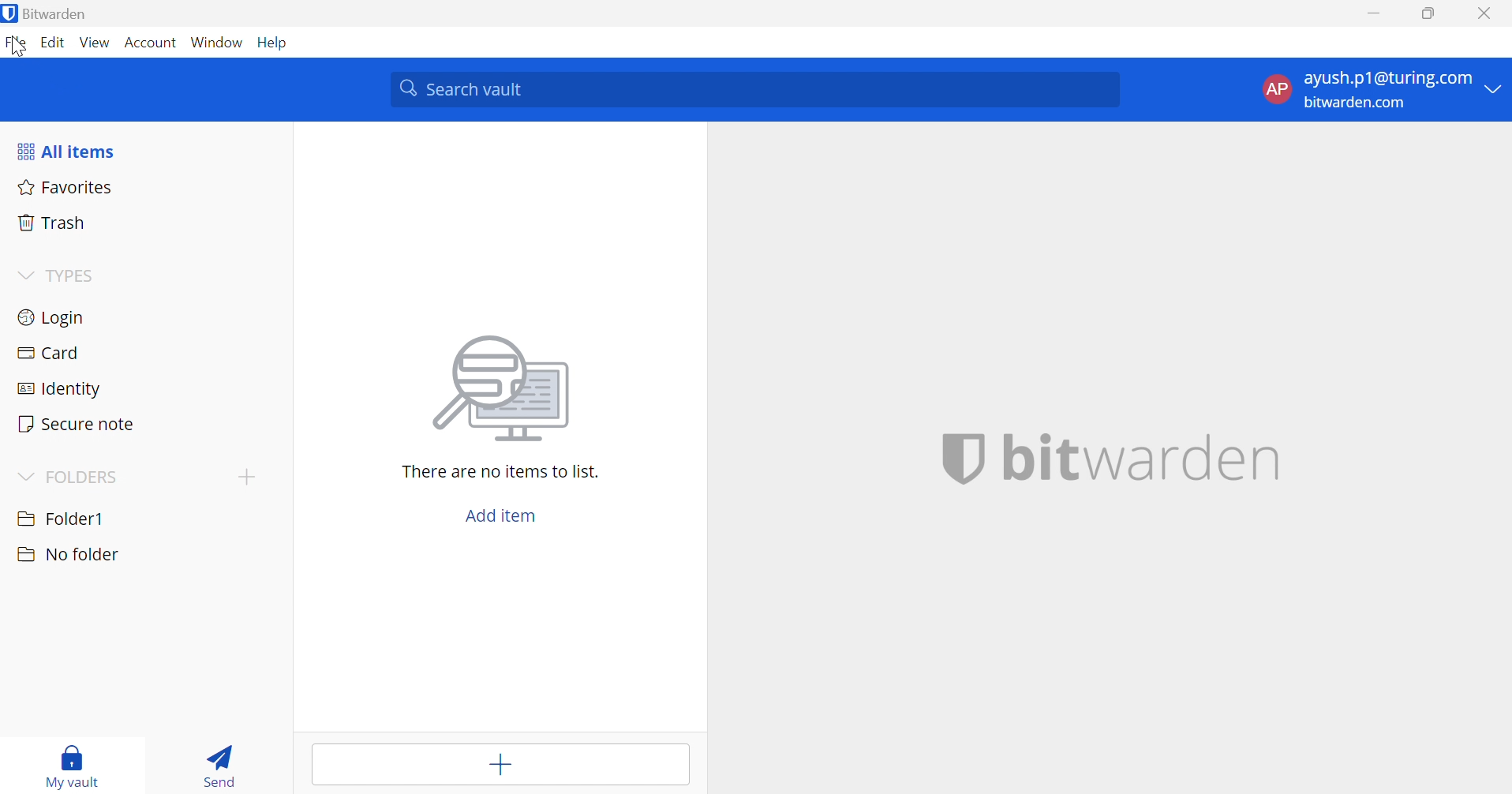  Describe the element at coordinates (1372, 11) in the screenshot. I see `Minimize` at that location.